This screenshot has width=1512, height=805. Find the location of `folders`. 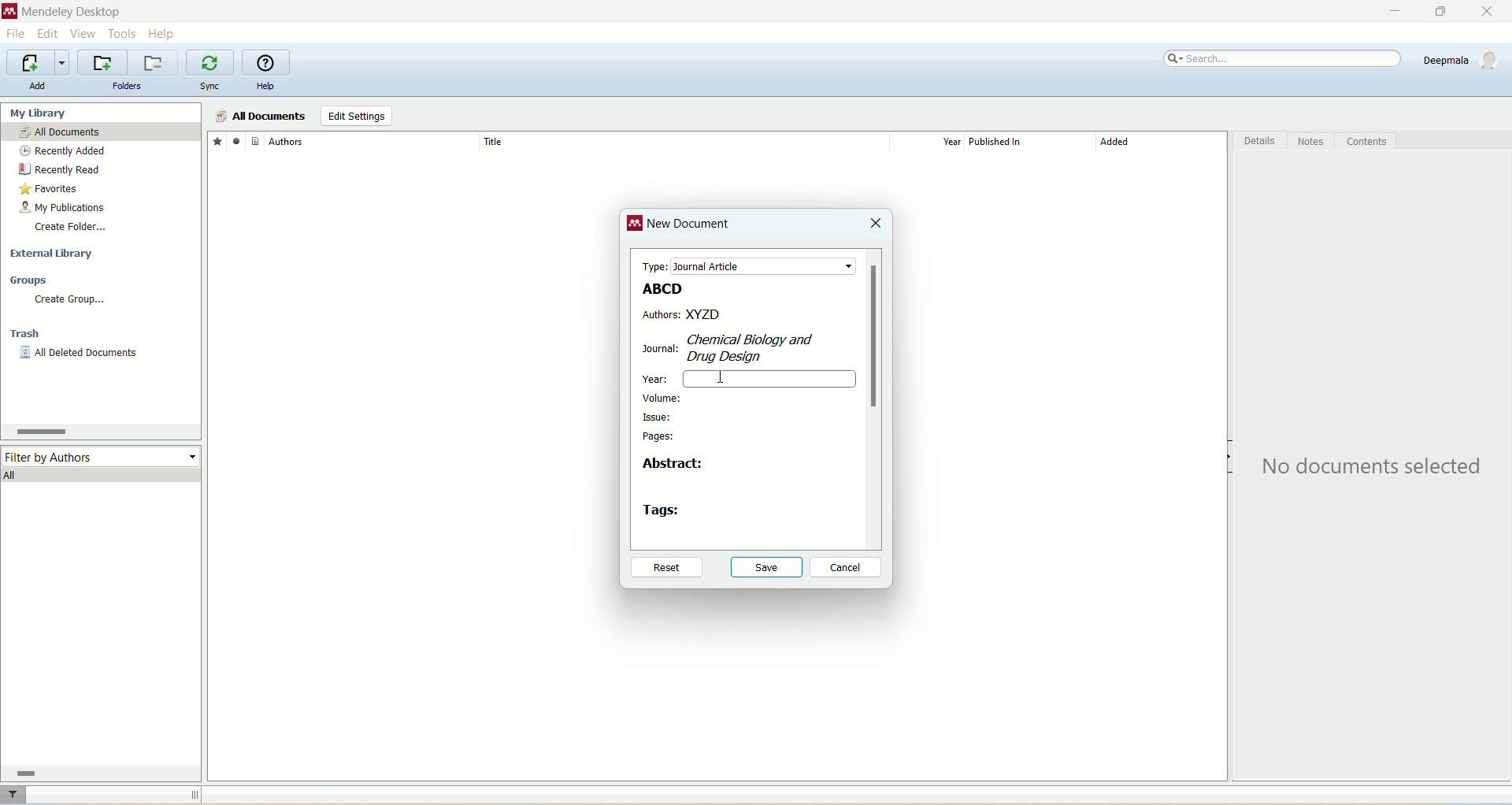

folders is located at coordinates (128, 87).